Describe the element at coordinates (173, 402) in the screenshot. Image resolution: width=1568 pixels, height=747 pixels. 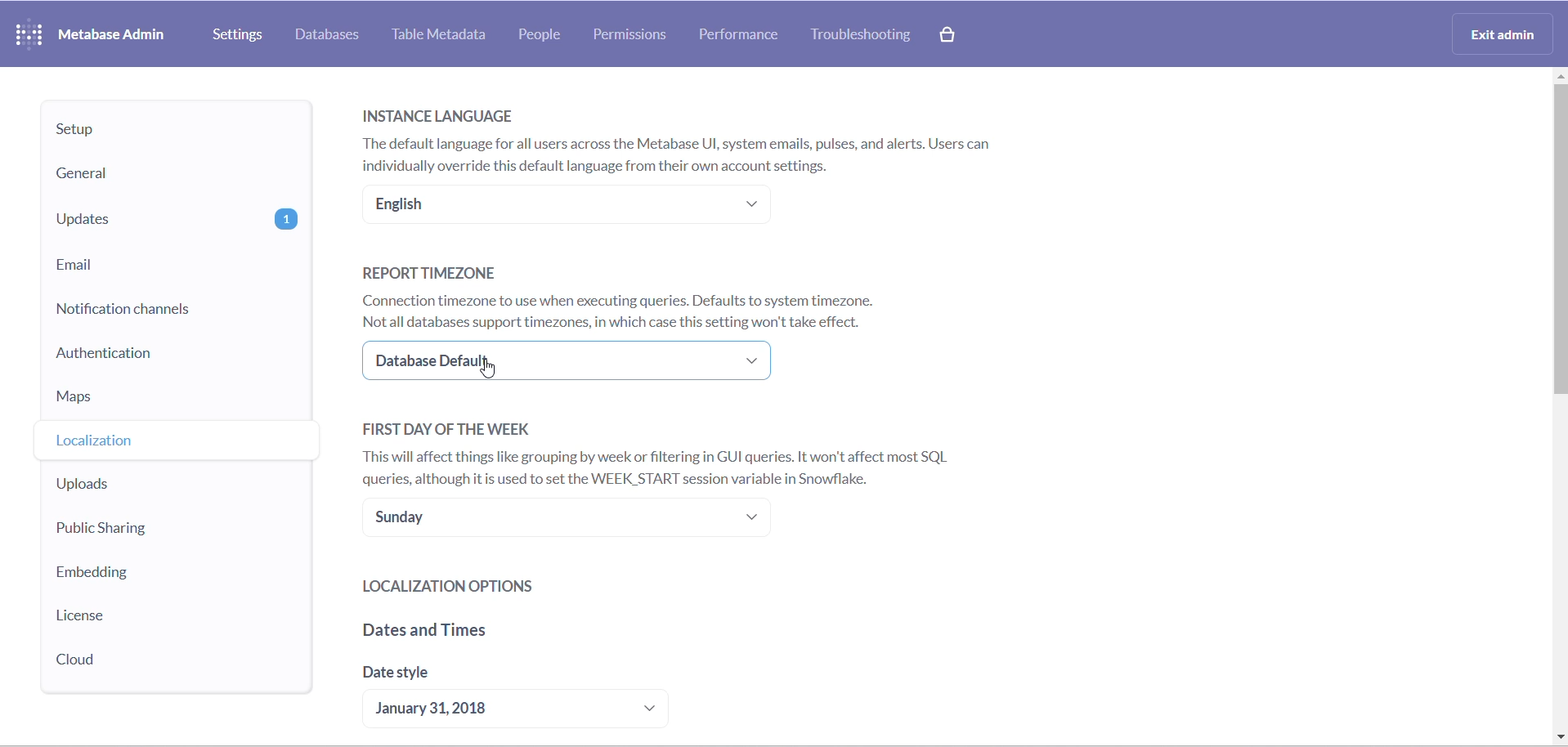
I see `MAPS` at that location.